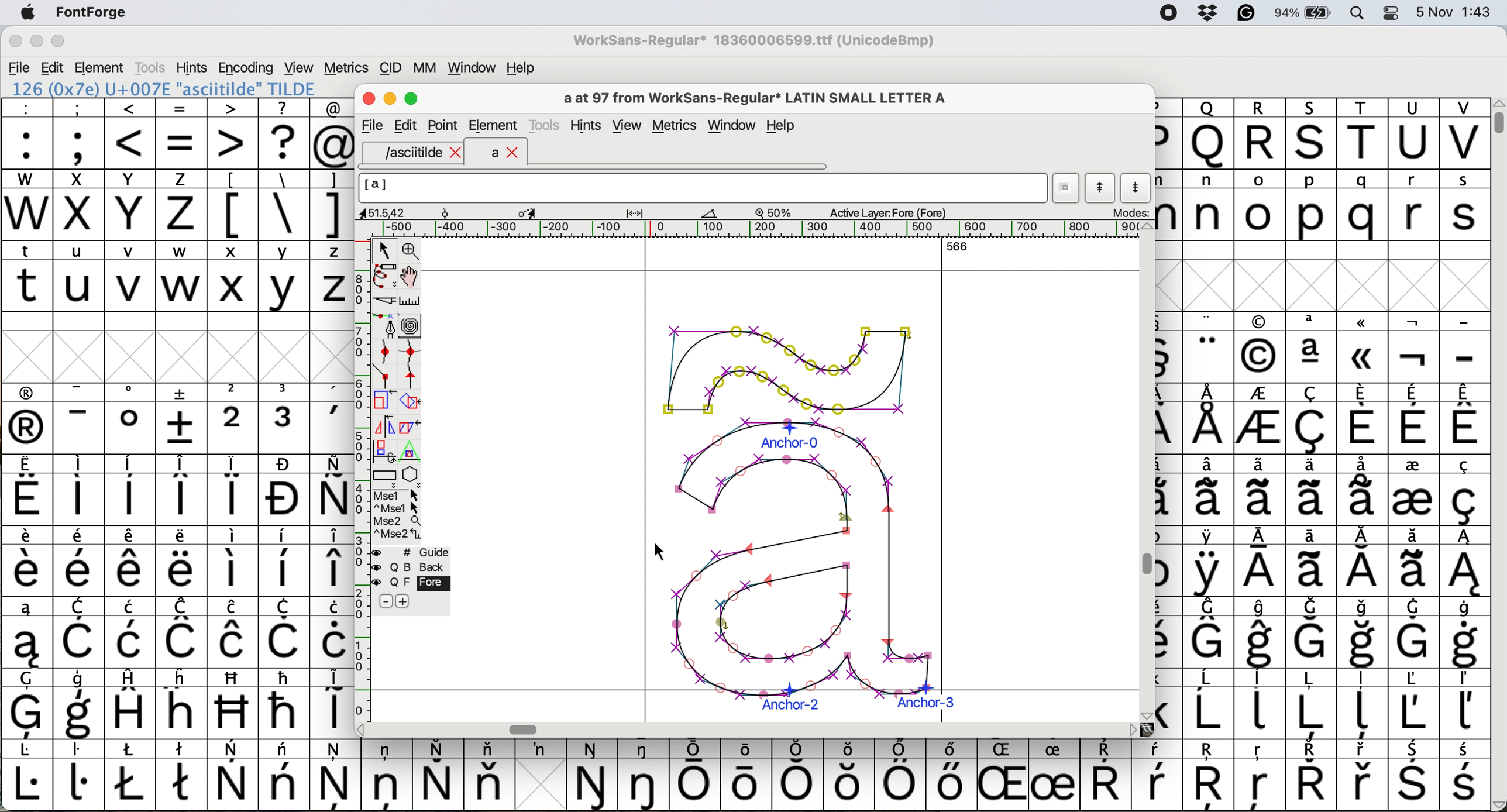 The height and width of the screenshot is (812, 1507). Describe the element at coordinates (181, 204) in the screenshot. I see `z` at that location.